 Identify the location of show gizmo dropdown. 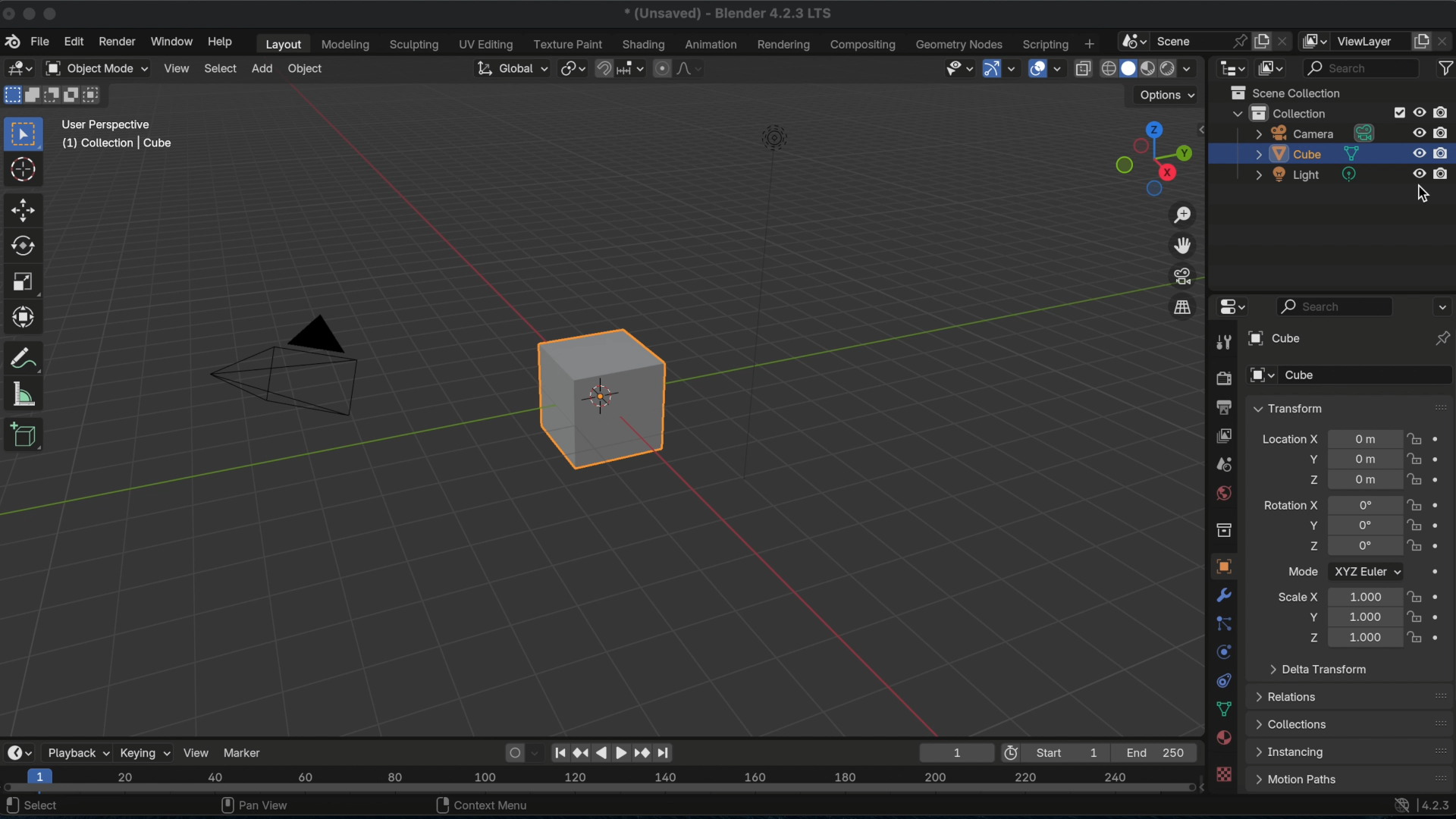
(1002, 69).